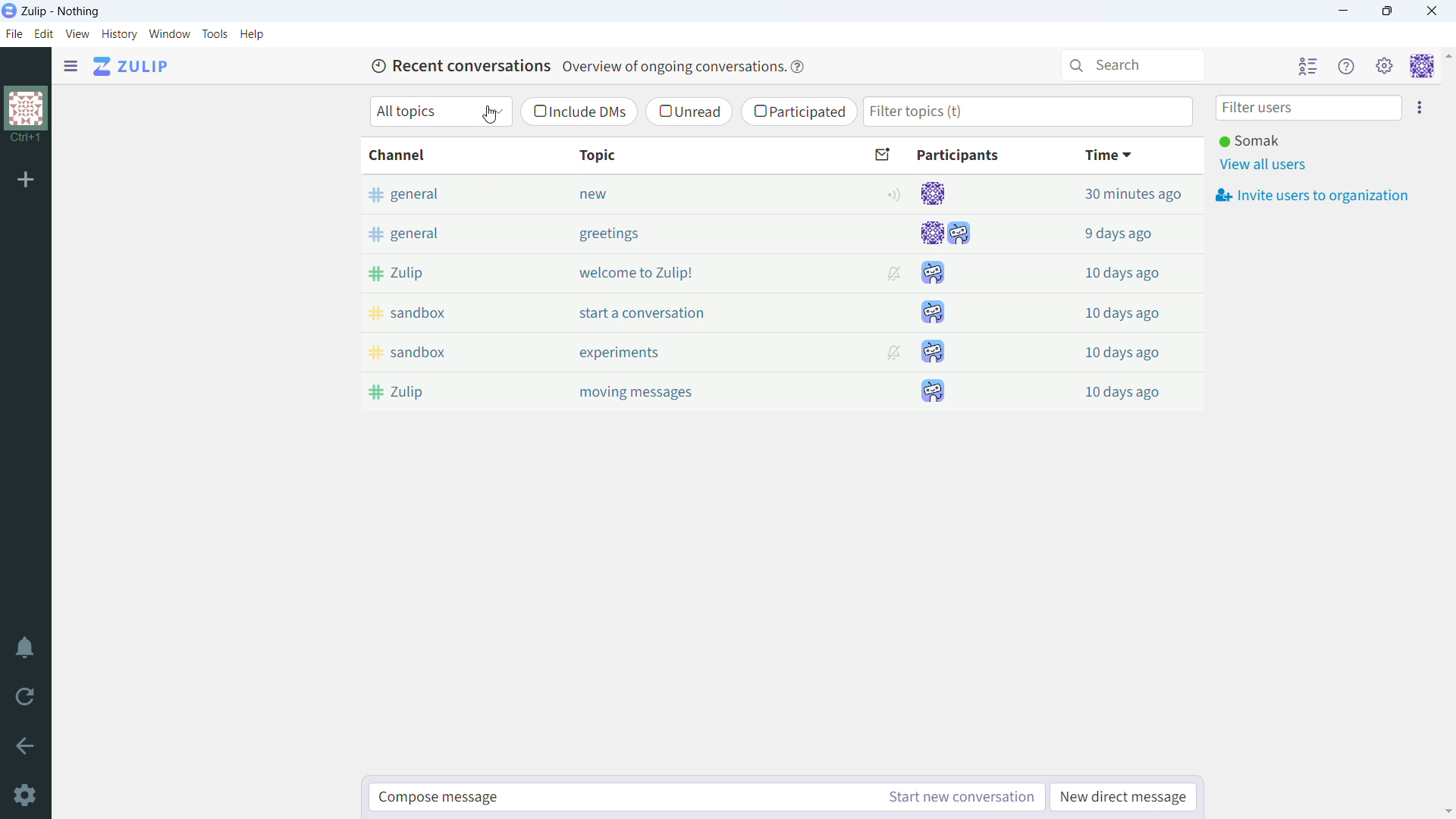  What do you see at coordinates (446, 194) in the screenshot?
I see `general` at bounding box center [446, 194].